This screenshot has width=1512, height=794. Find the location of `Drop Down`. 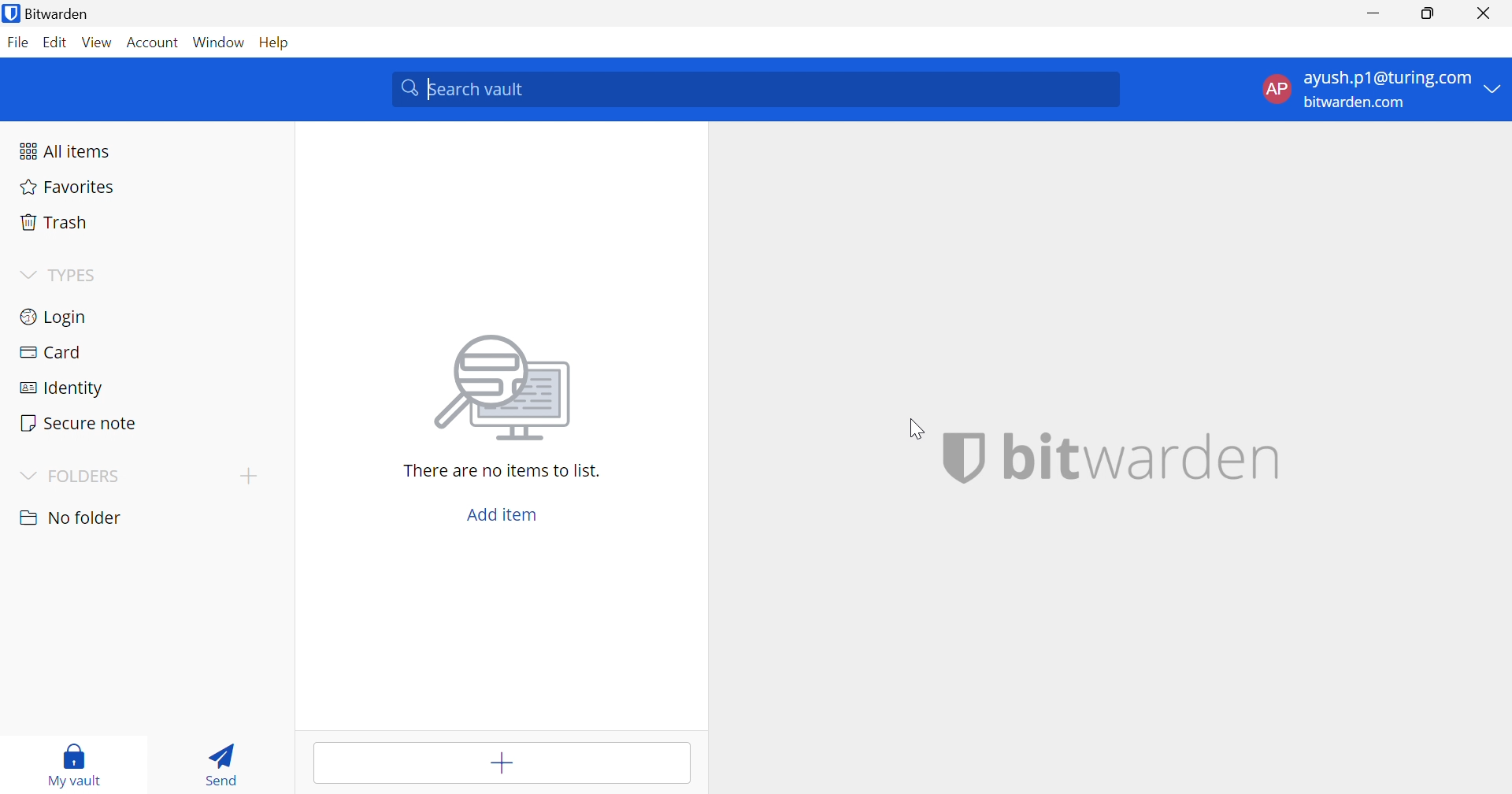

Drop Down is located at coordinates (27, 477).